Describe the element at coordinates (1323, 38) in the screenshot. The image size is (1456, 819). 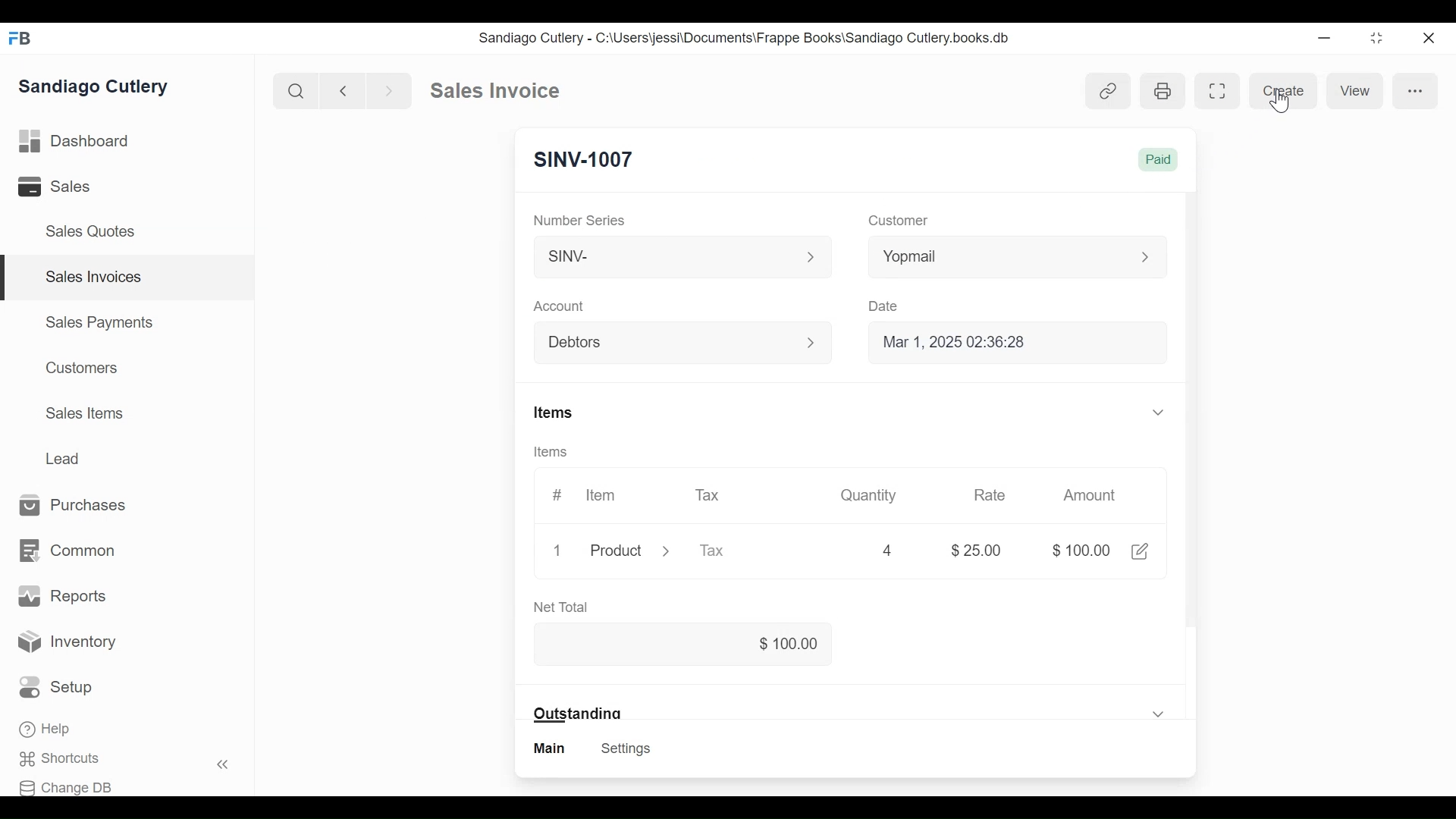
I see `Minimize` at that location.